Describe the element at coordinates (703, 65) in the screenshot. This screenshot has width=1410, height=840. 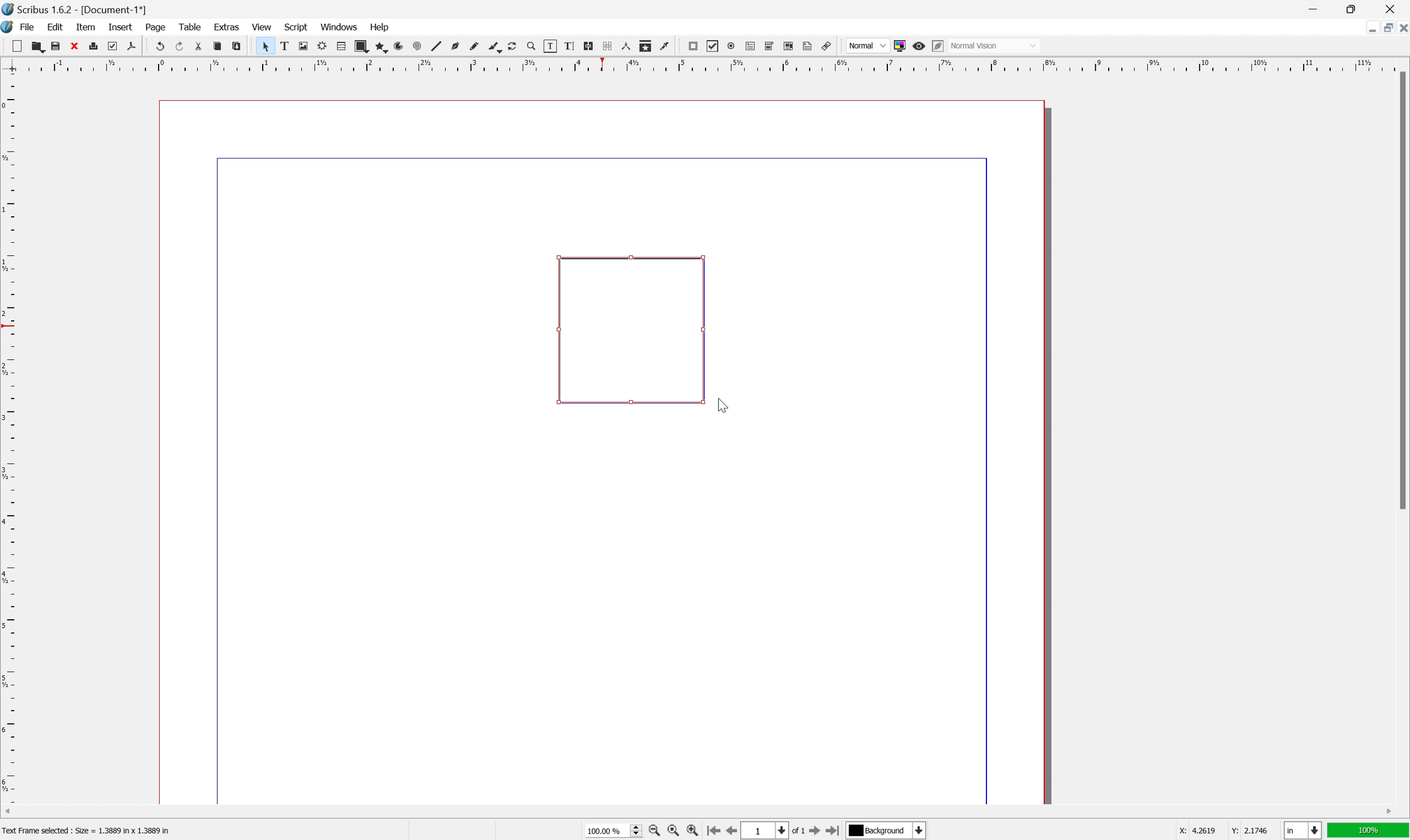
I see `ruler` at that location.